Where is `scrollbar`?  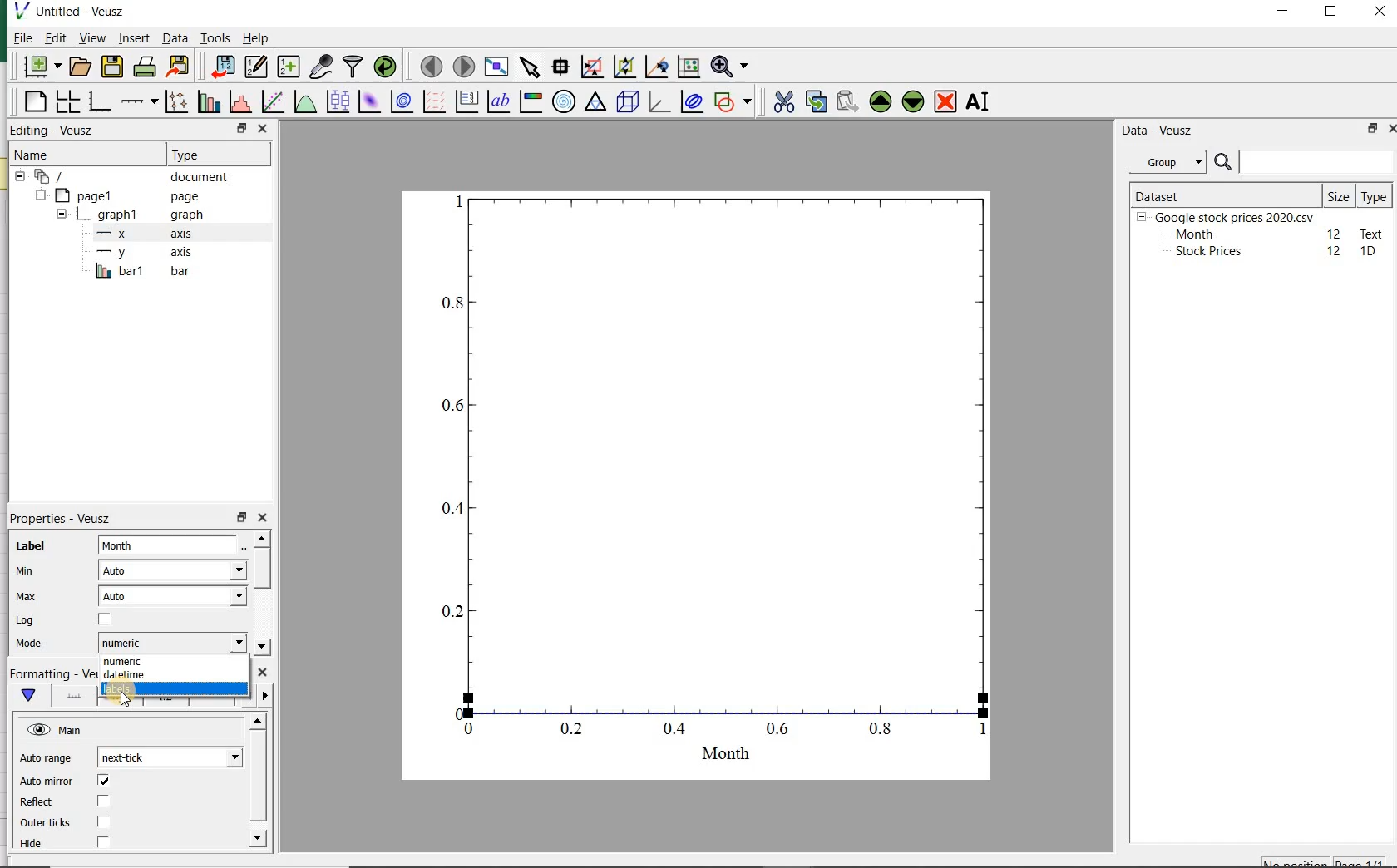
scrollbar is located at coordinates (256, 783).